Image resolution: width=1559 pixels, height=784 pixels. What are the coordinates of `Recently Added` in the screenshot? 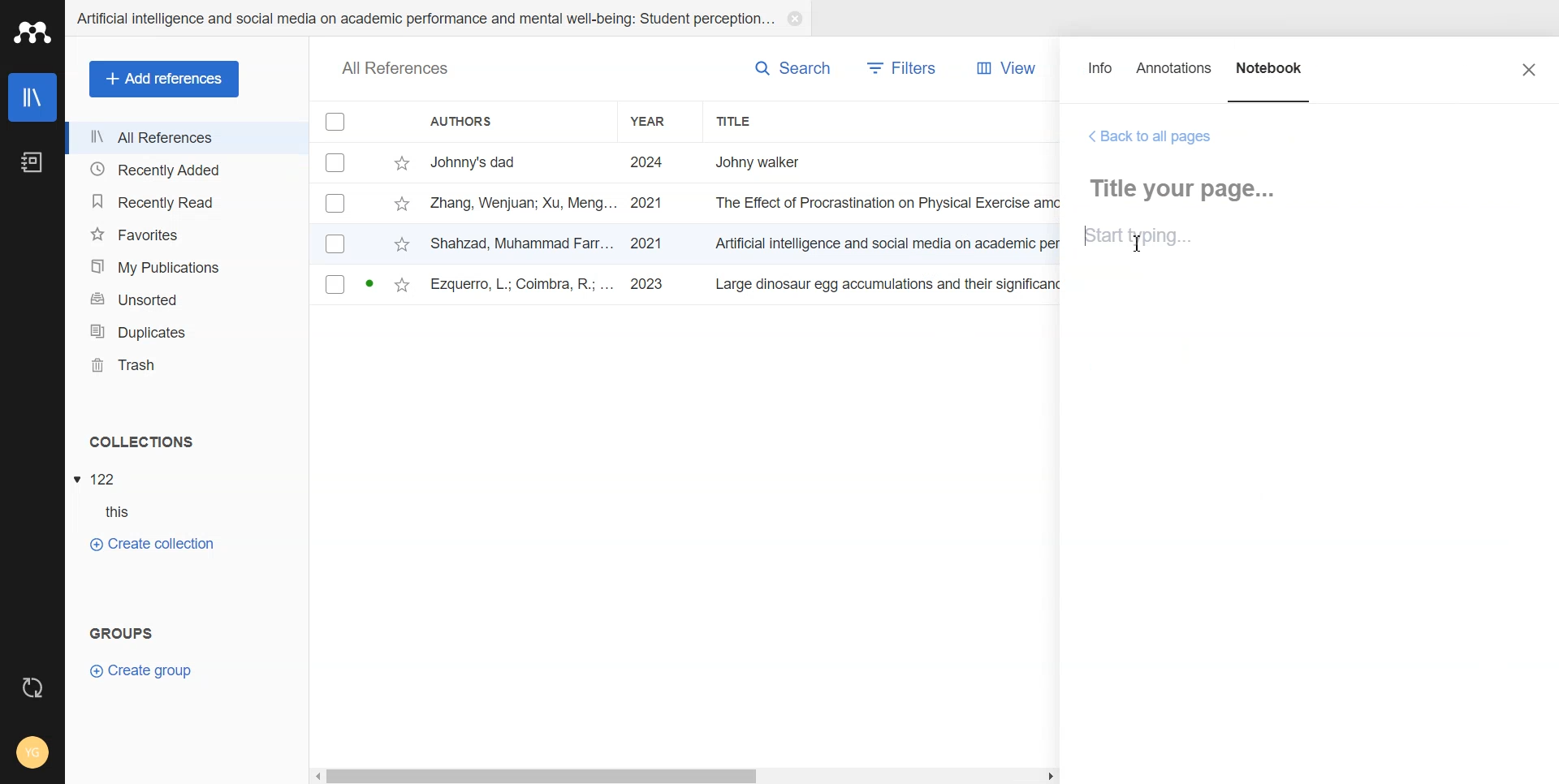 It's located at (186, 168).